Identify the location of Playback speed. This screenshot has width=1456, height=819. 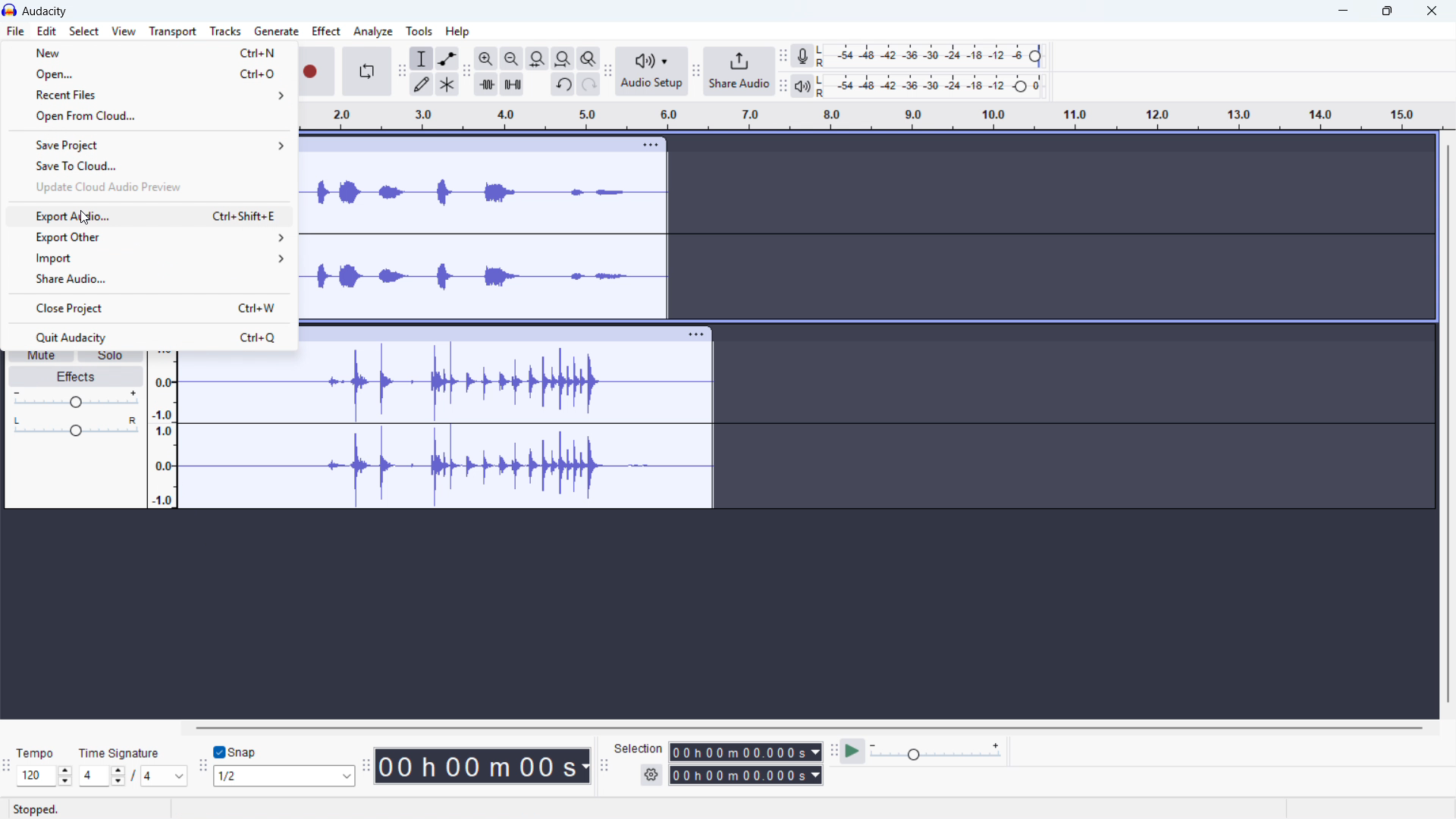
(937, 752).